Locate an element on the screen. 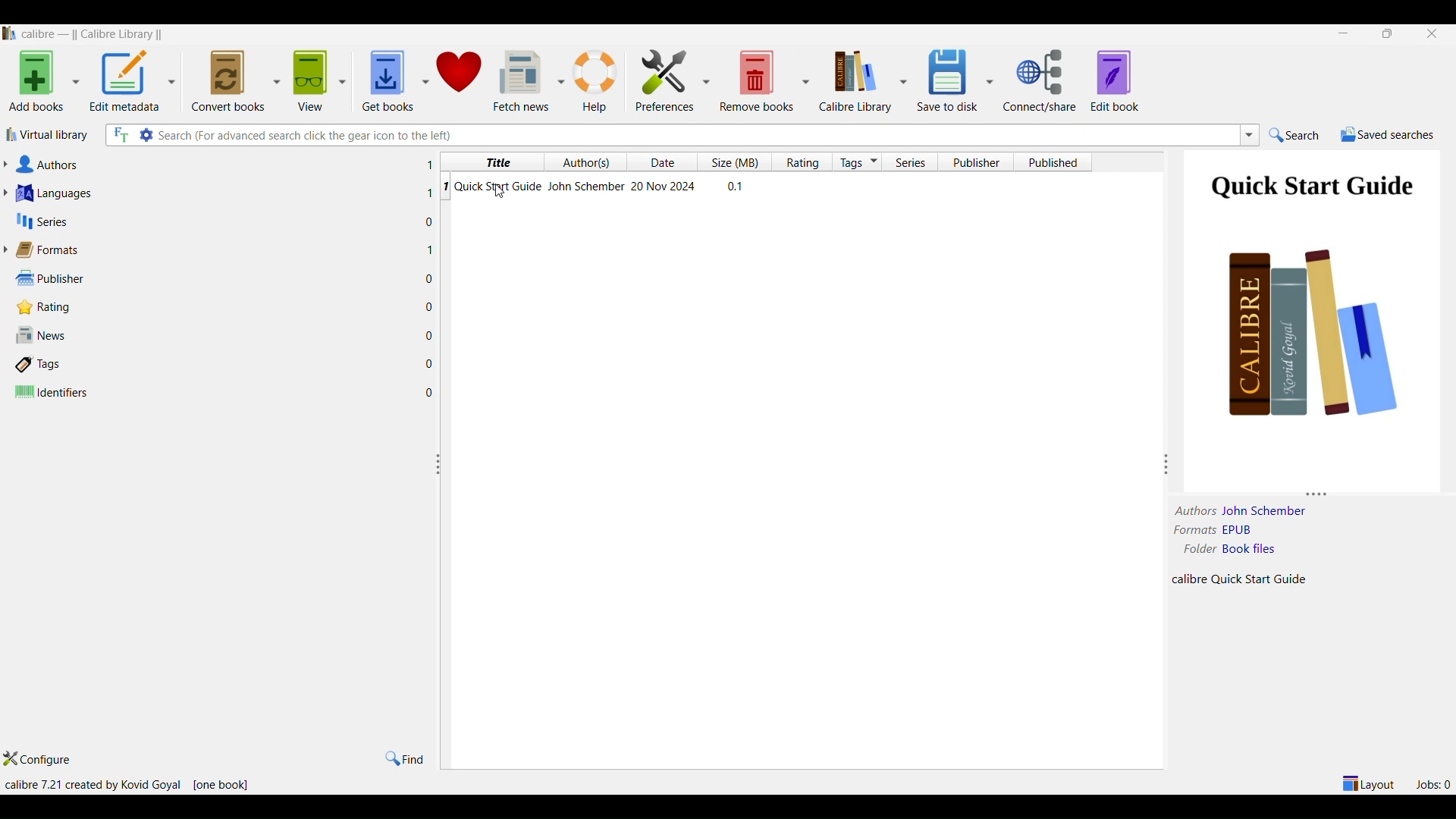  title is located at coordinates (493, 160).